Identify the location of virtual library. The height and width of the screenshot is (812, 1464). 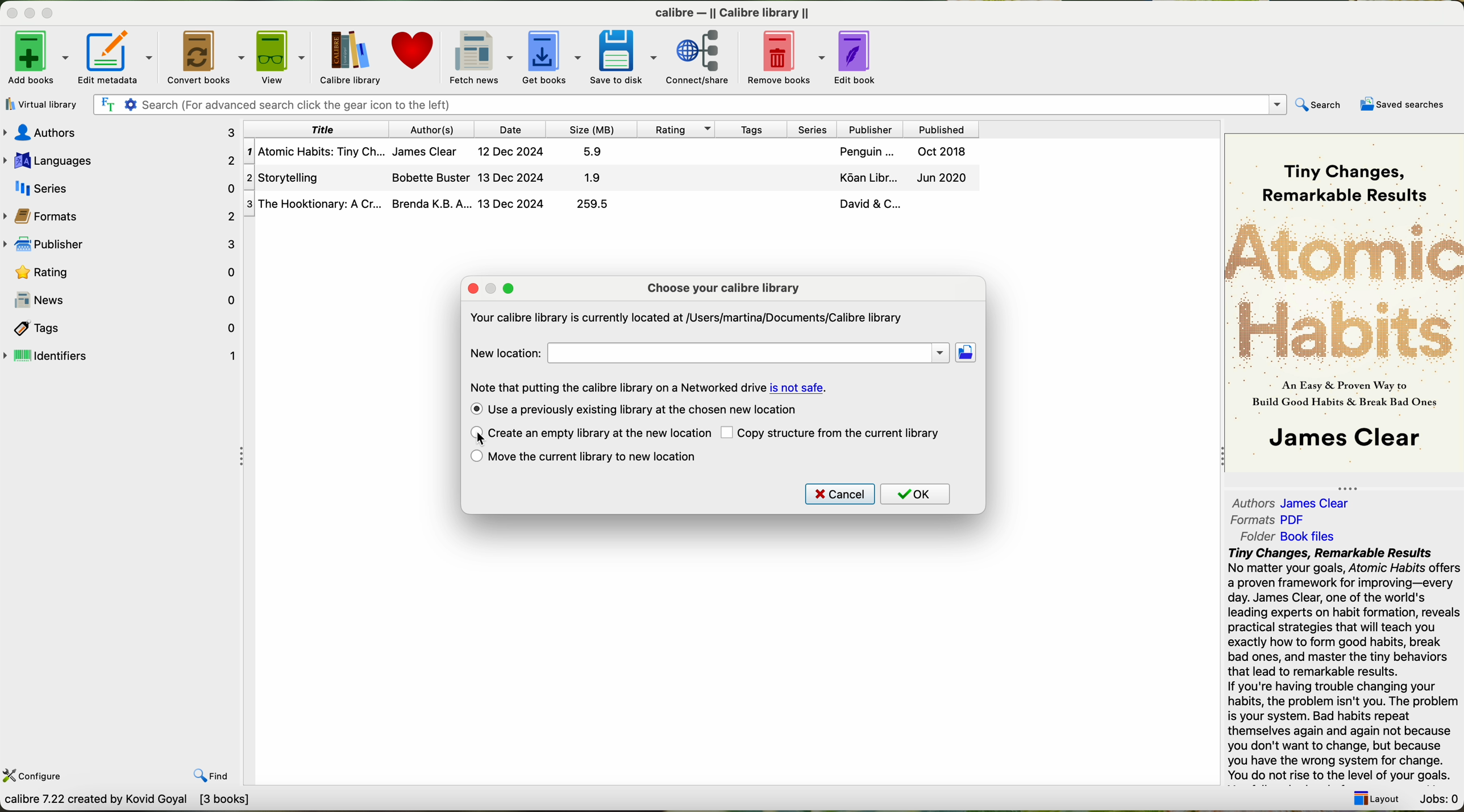
(39, 104).